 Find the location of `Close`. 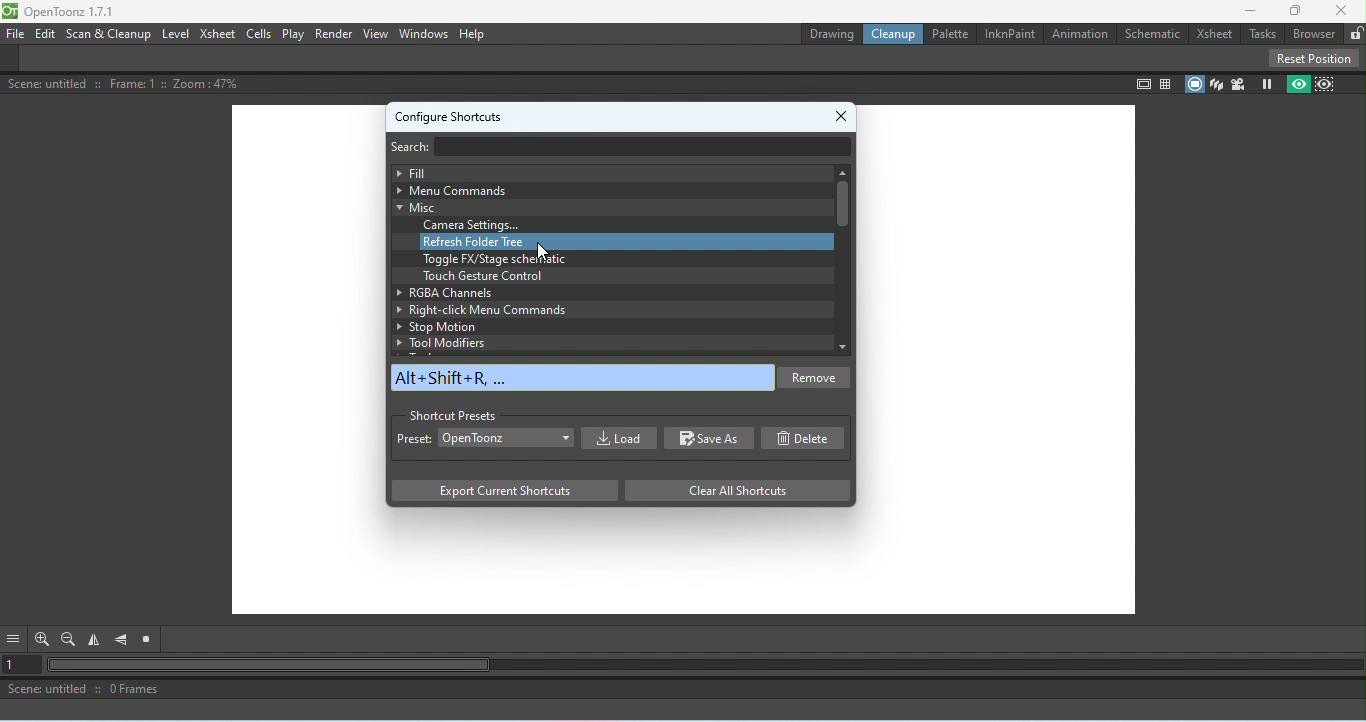

Close is located at coordinates (1342, 10).